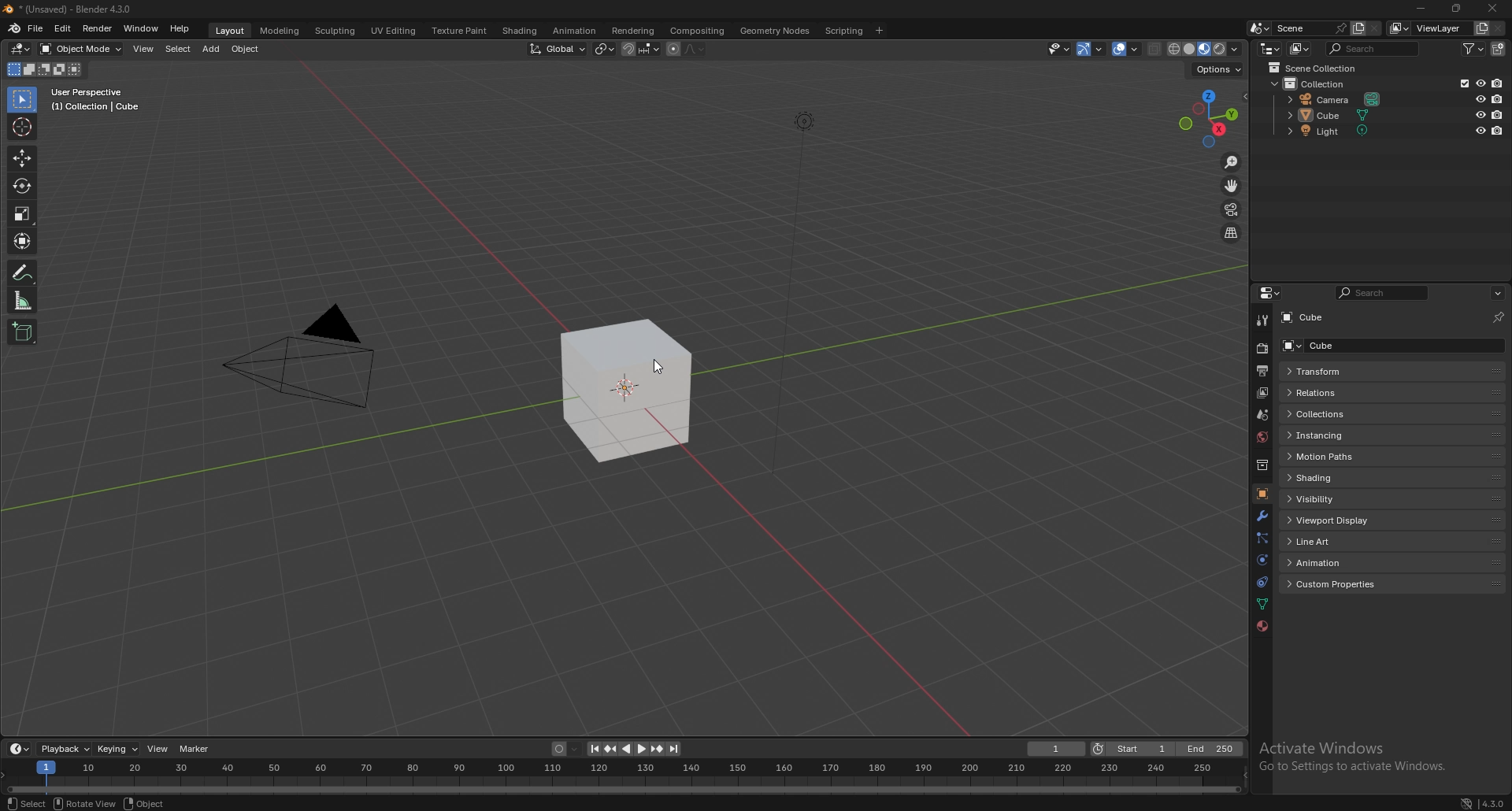 The height and width of the screenshot is (811, 1512). I want to click on edit, so click(63, 28).